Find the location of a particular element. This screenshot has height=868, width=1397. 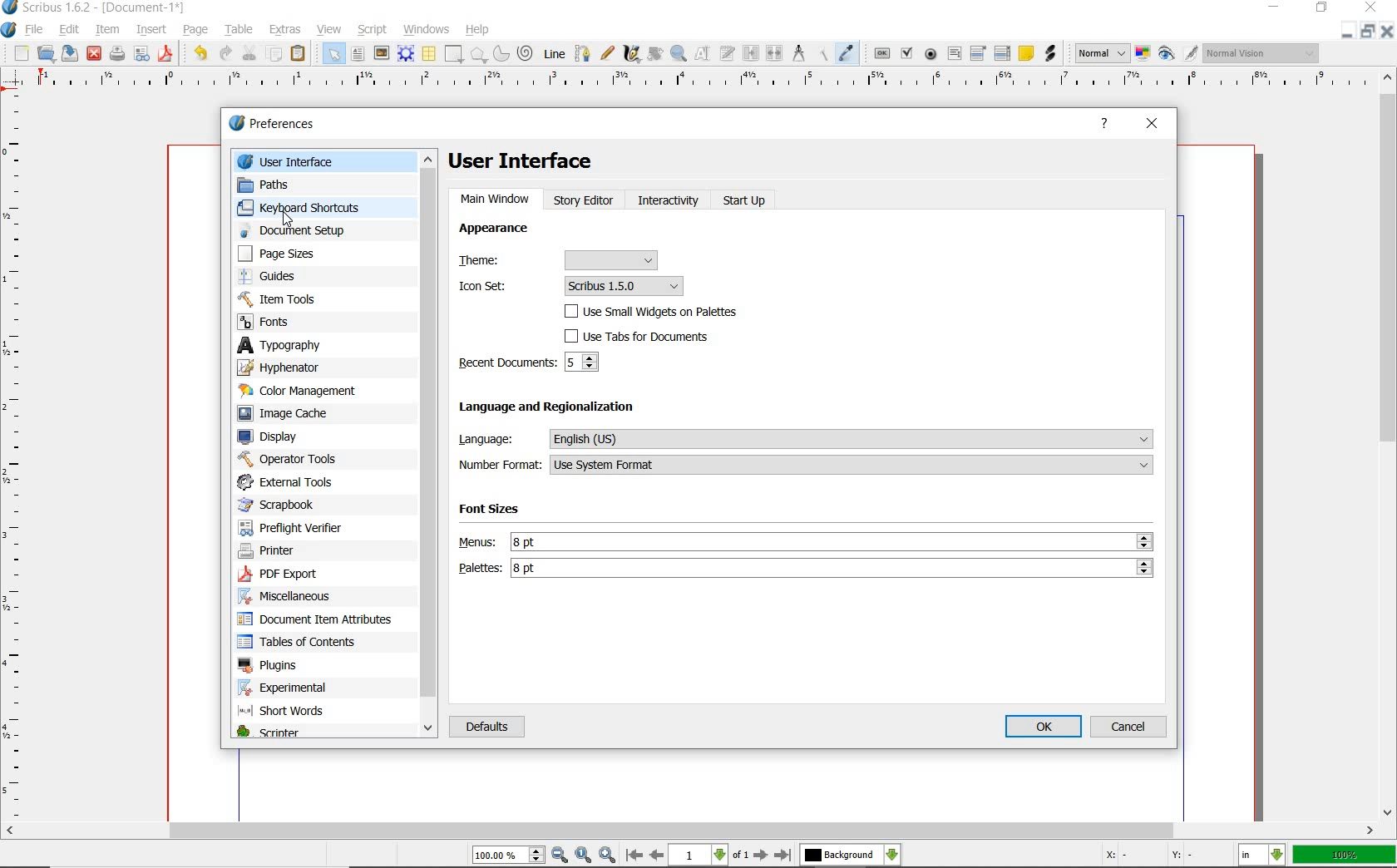

visual appearance of the display is located at coordinates (1262, 52).